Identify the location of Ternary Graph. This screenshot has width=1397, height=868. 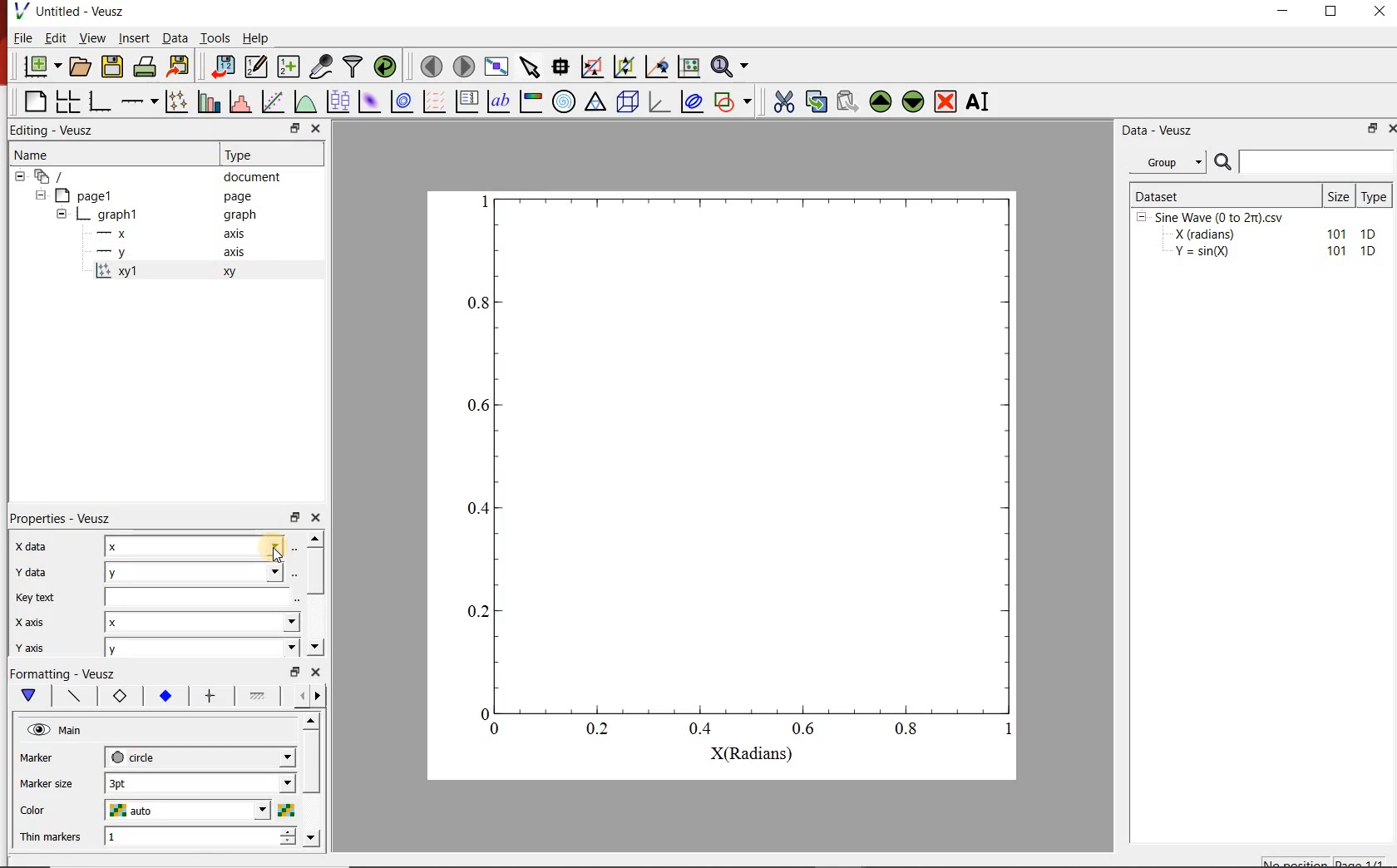
(596, 101).